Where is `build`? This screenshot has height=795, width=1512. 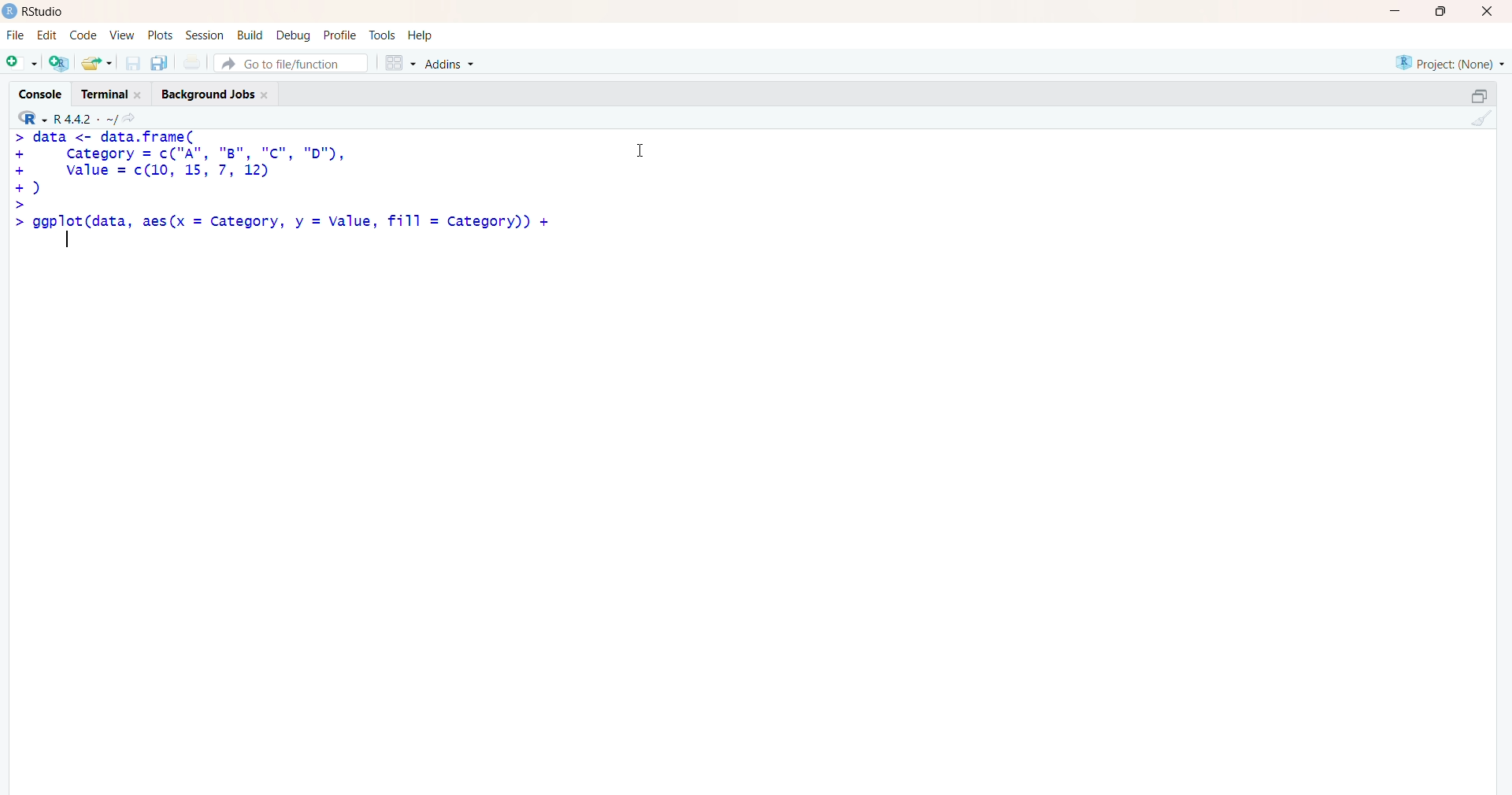
build is located at coordinates (249, 35).